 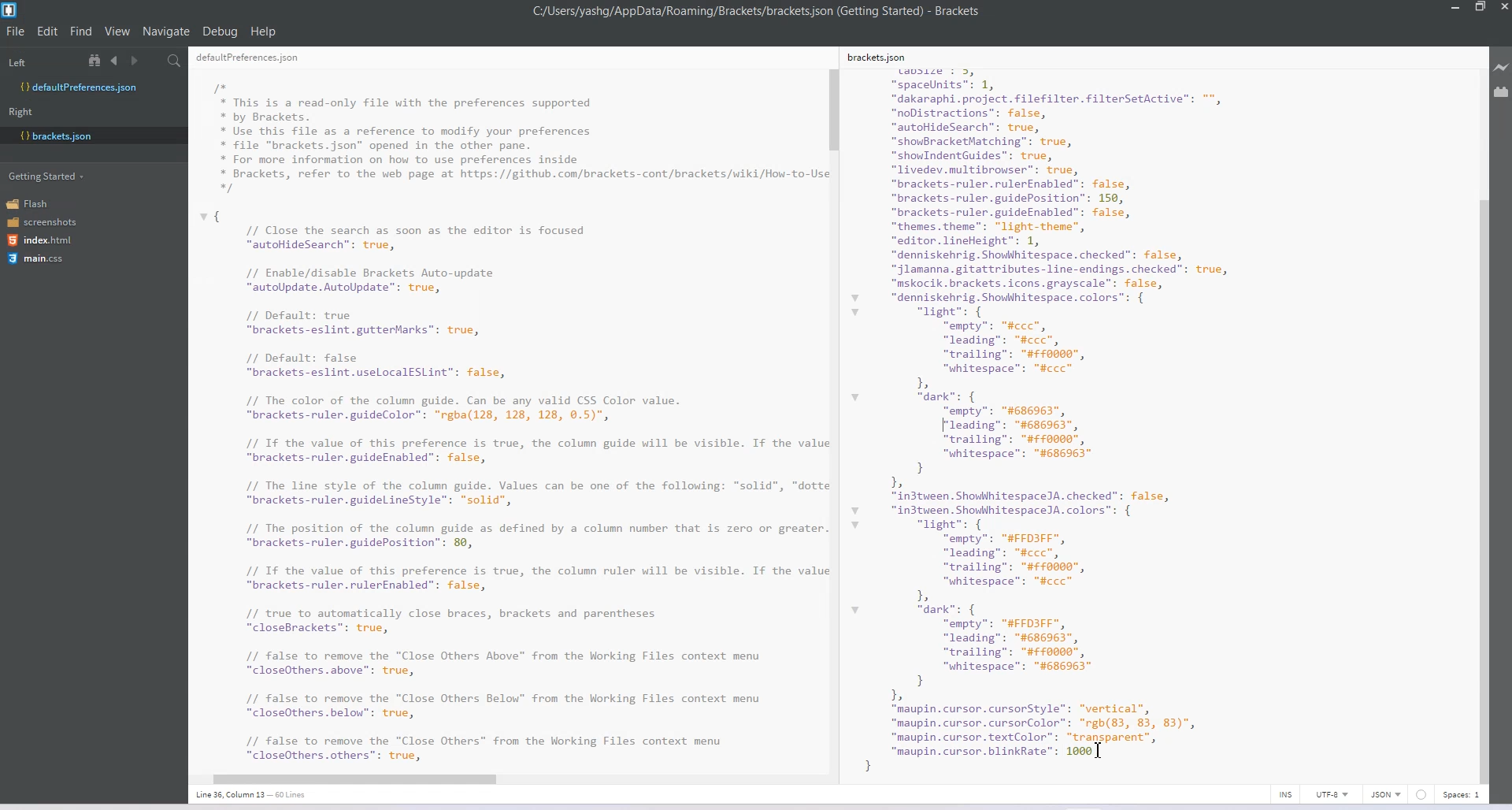 What do you see at coordinates (1387, 794) in the screenshot?
I see `JSON` at bounding box center [1387, 794].